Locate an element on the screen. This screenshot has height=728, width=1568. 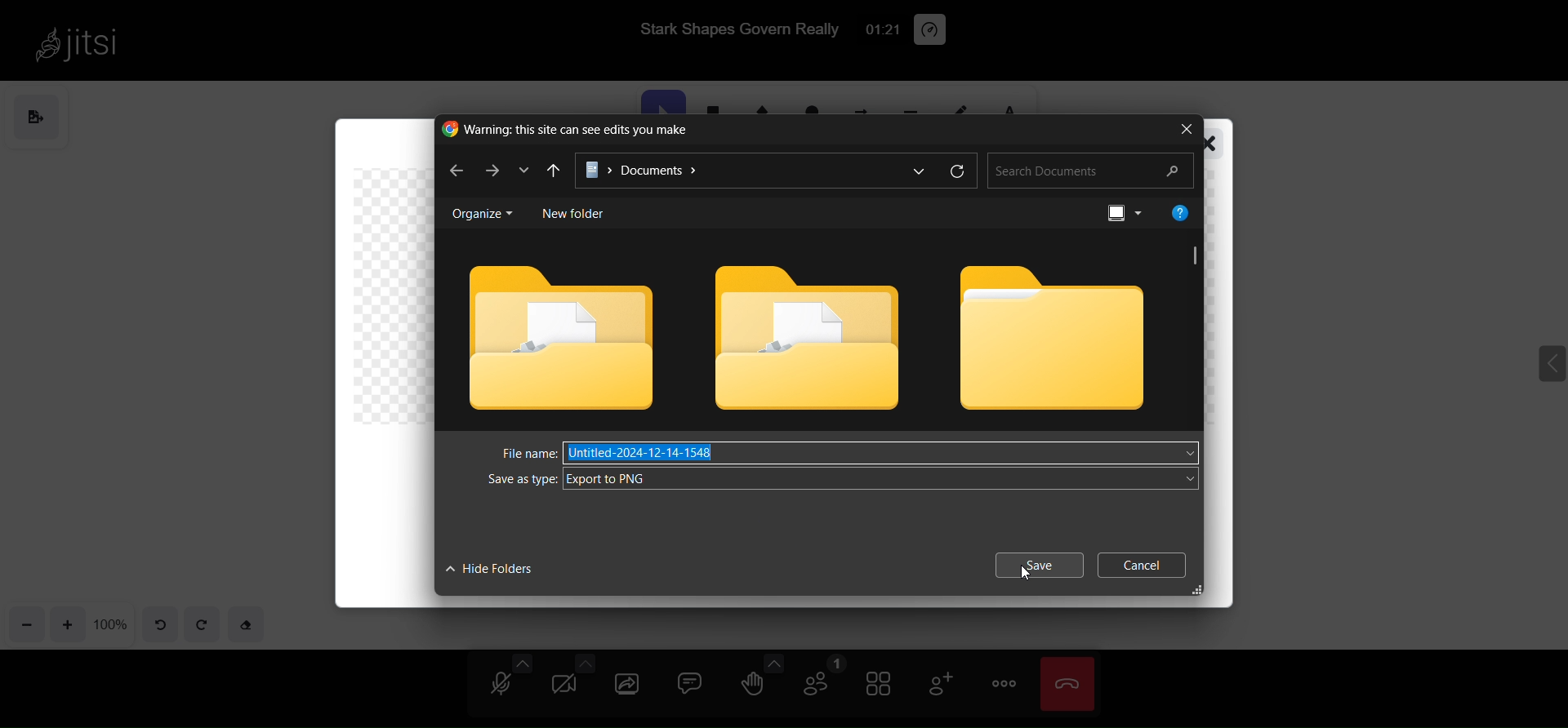
save is located at coordinates (1036, 566).